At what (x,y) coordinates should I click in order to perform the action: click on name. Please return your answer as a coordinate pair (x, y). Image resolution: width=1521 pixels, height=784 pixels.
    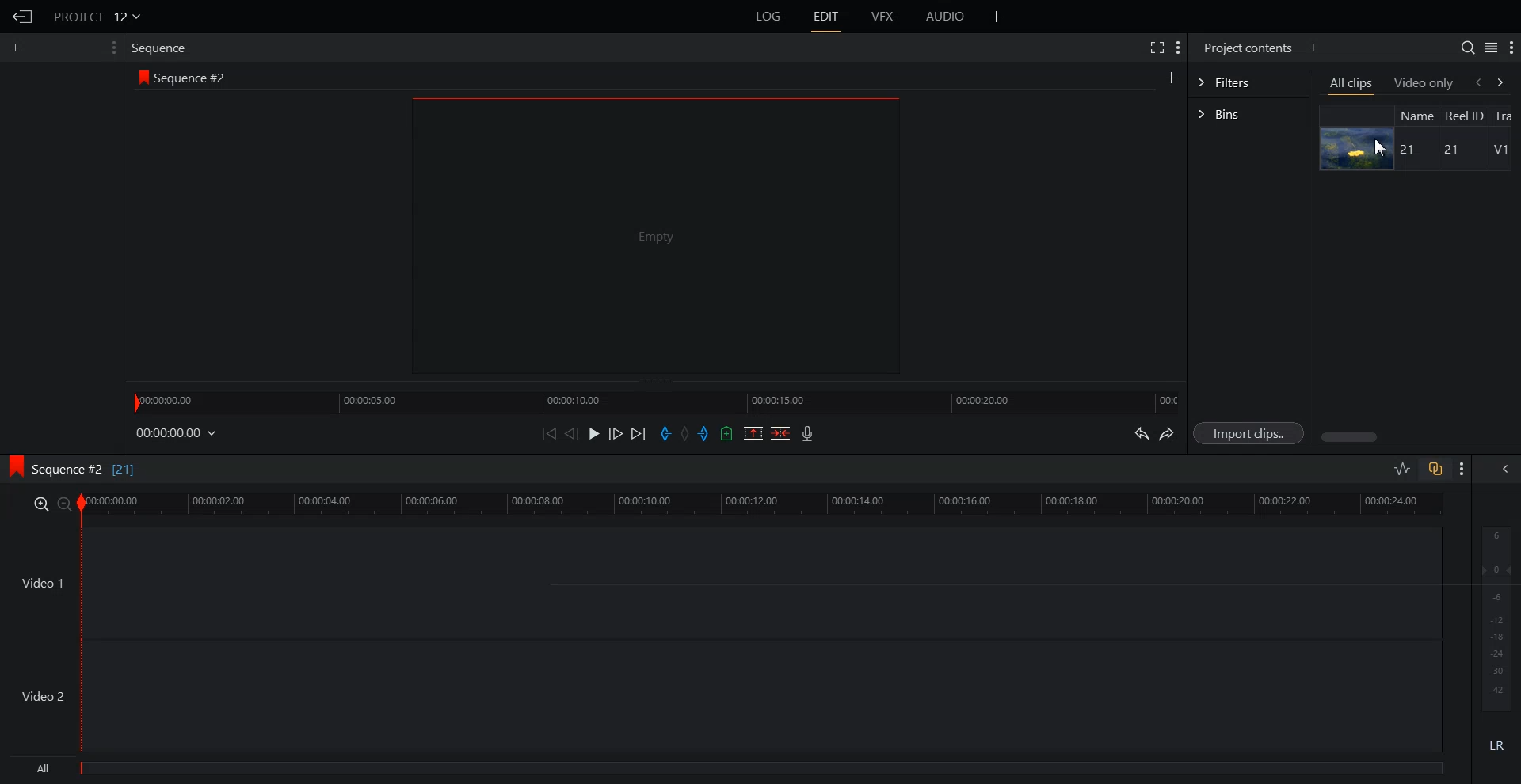
    Looking at the image, I should click on (1416, 115).